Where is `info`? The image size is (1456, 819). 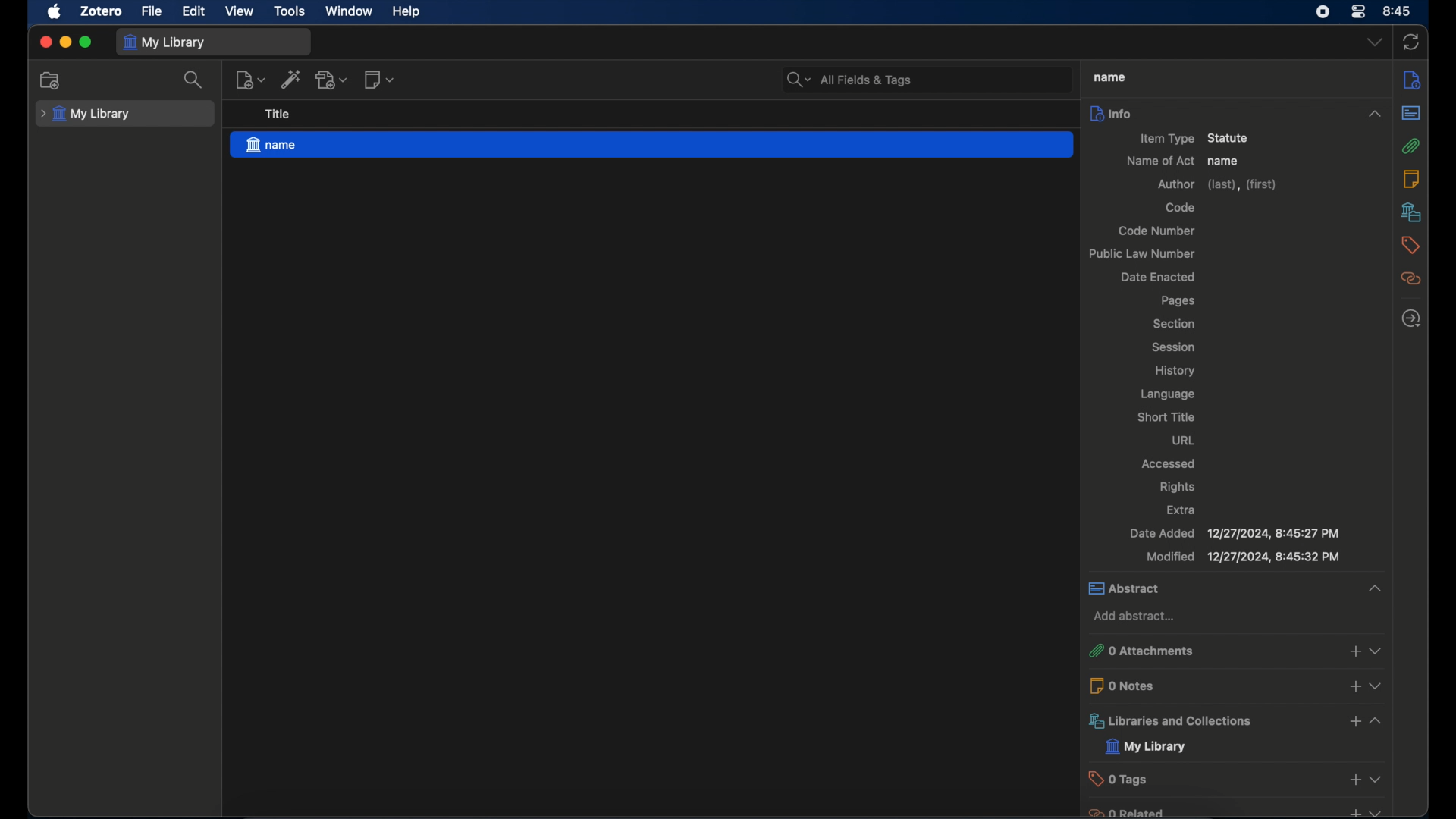
info is located at coordinates (1205, 114).